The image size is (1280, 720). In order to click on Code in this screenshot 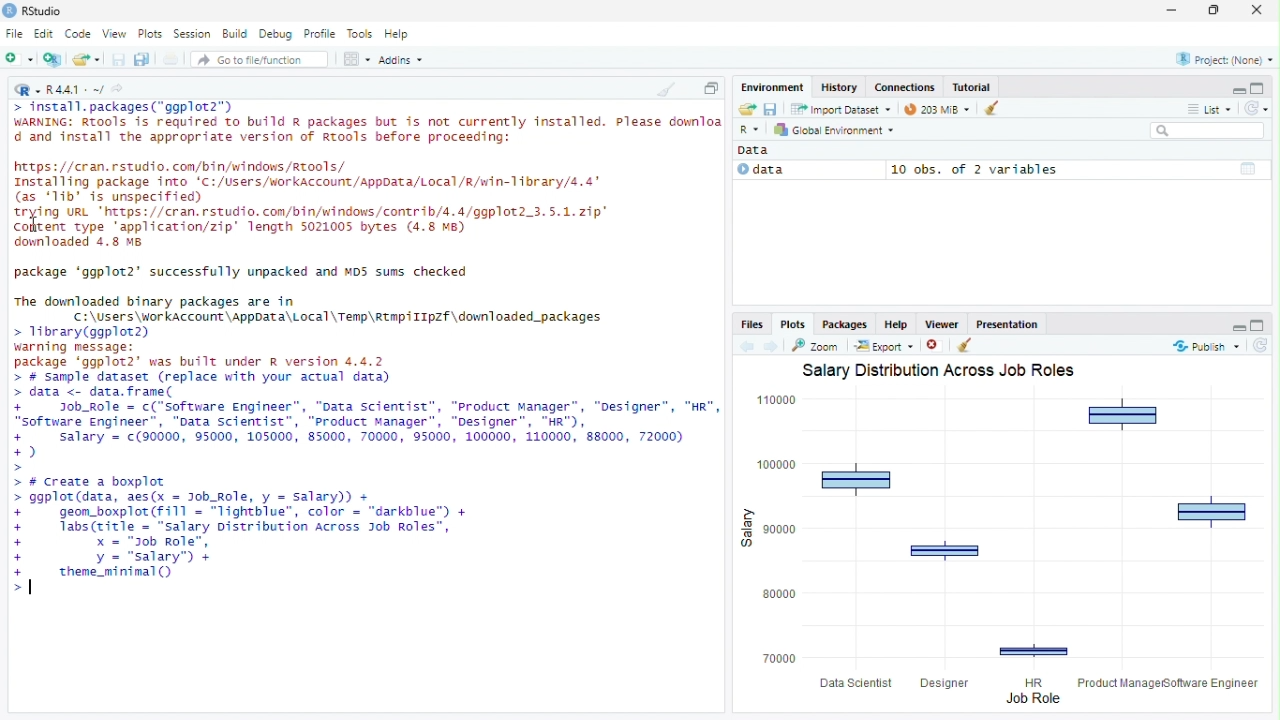, I will do `click(80, 34)`.